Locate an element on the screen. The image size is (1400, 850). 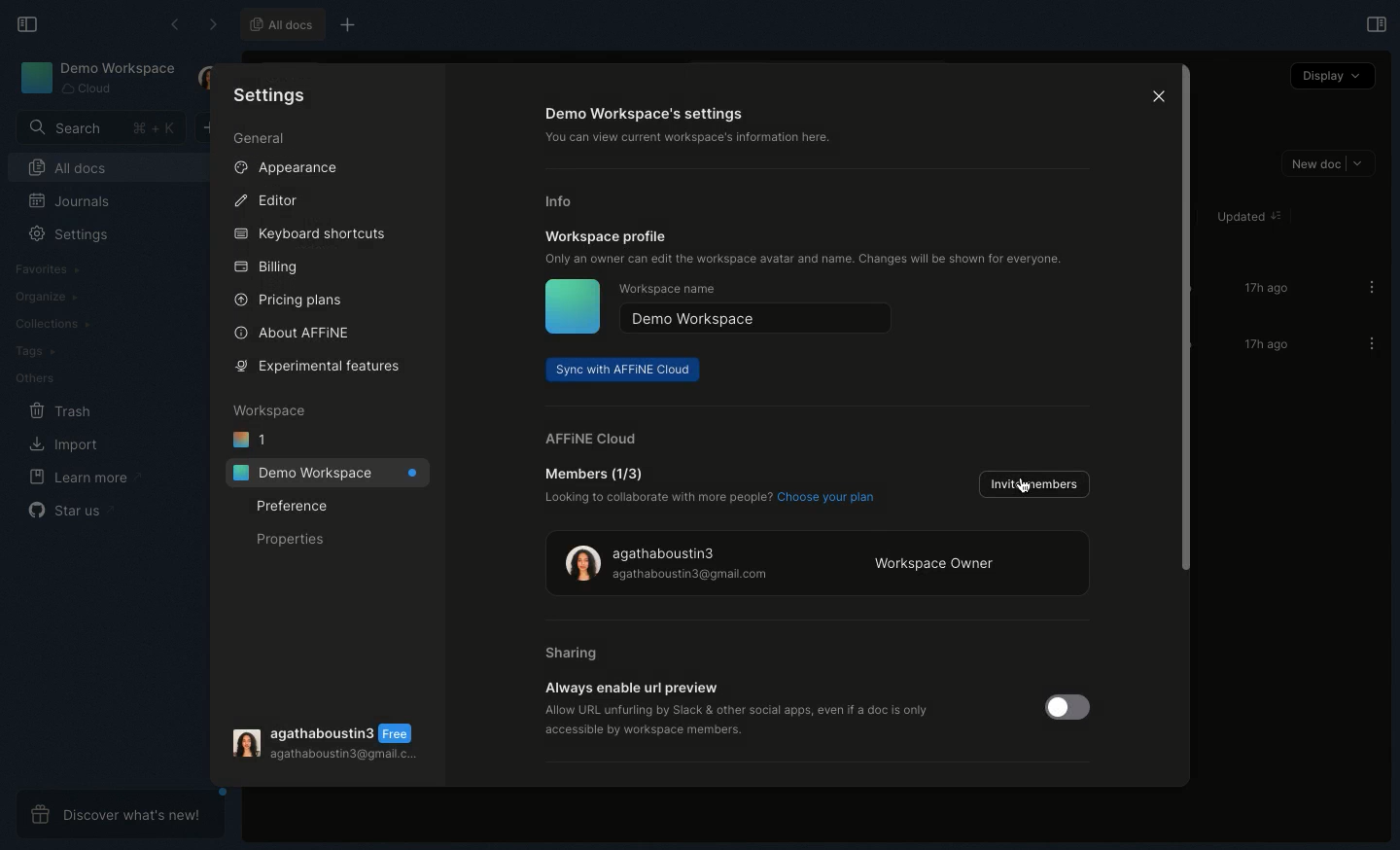
AFFINE cloud is located at coordinates (591, 440).